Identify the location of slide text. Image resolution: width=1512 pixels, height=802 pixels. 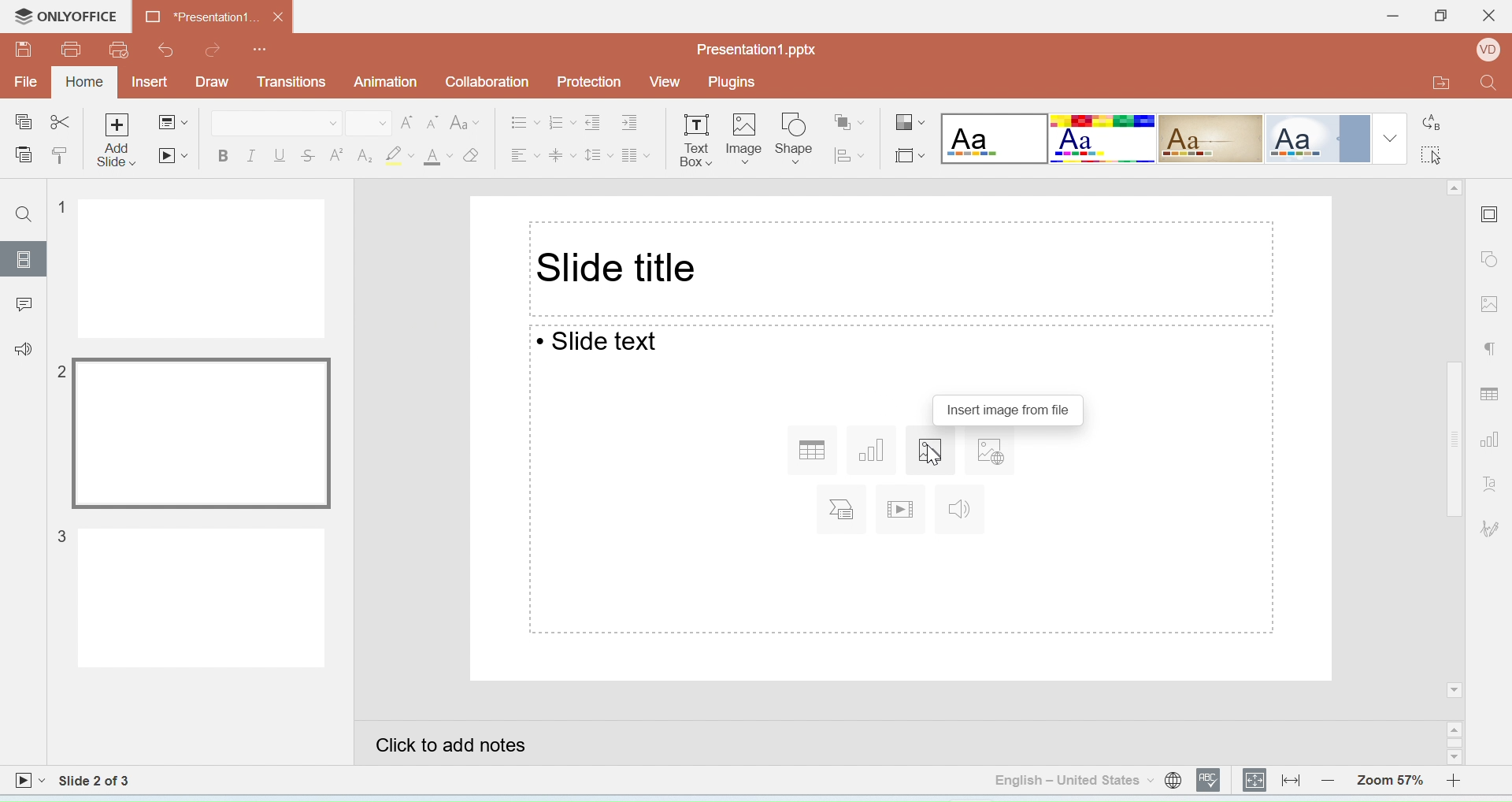
(596, 343).